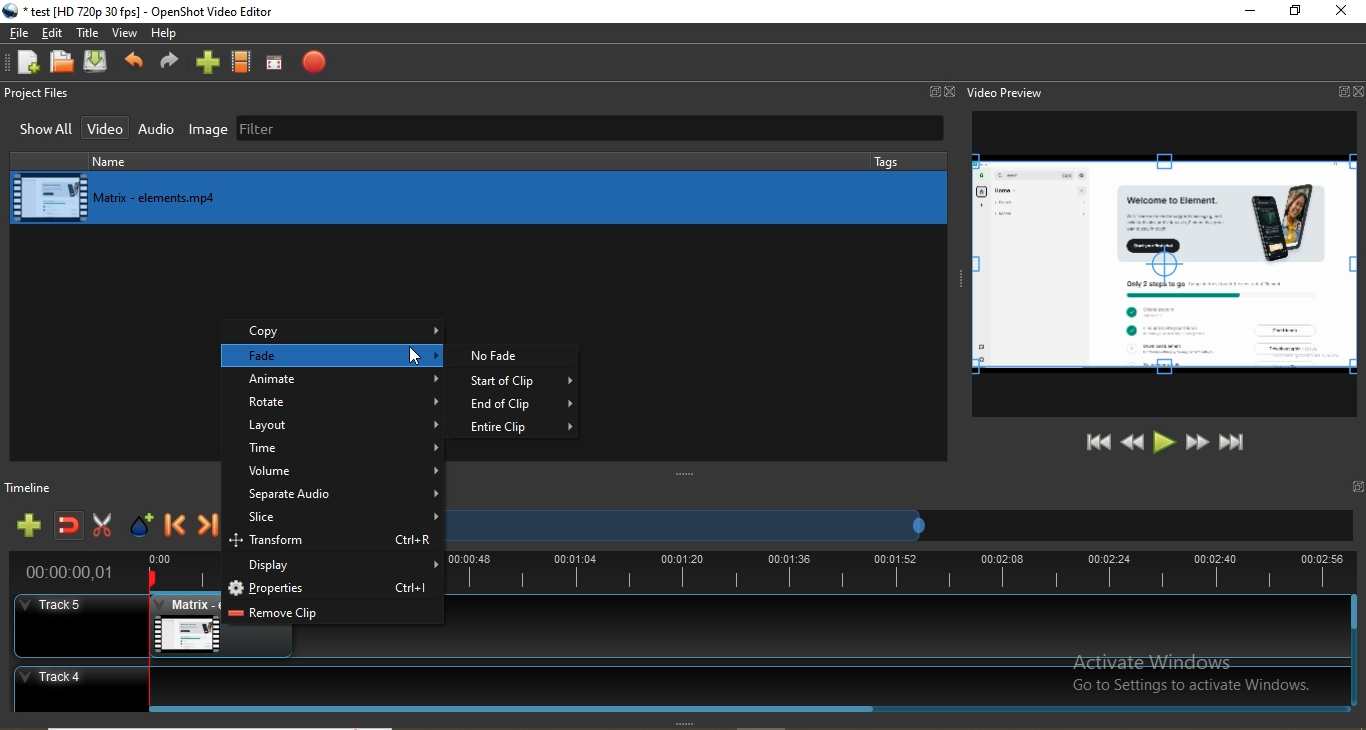  Describe the element at coordinates (332, 615) in the screenshot. I see `remove clip` at that location.